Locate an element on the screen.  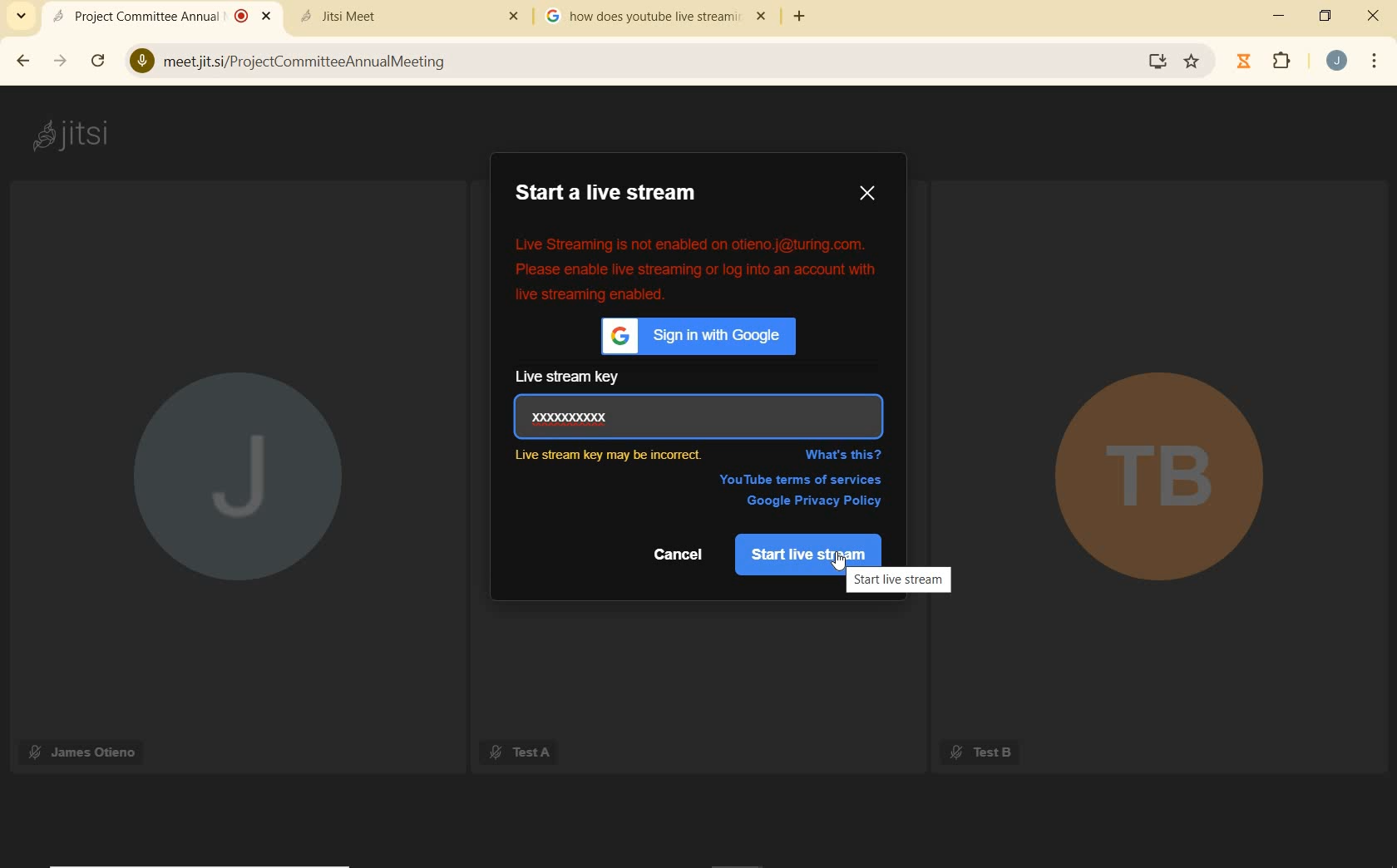
Enter Key is located at coordinates (698, 417).